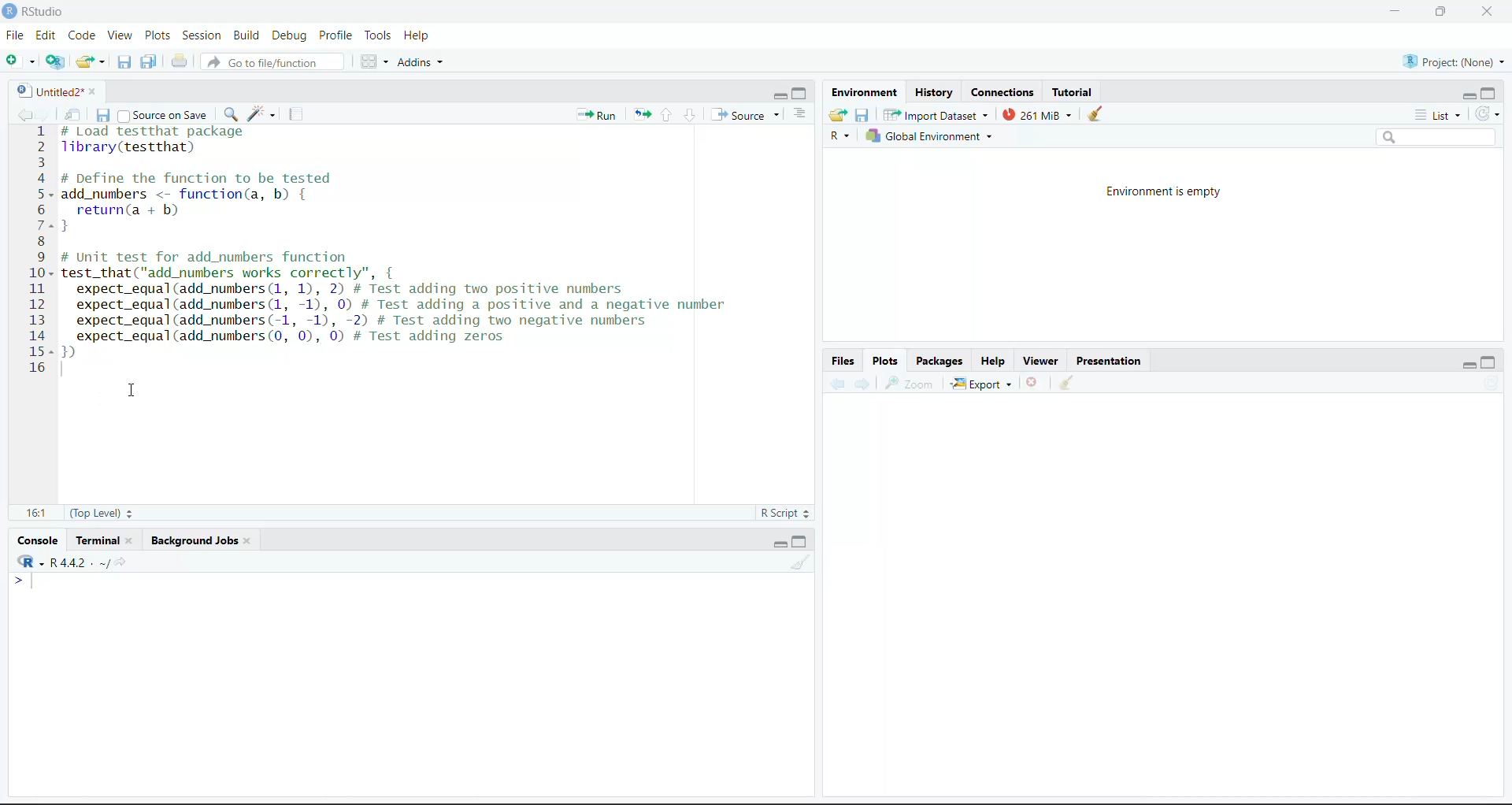 The height and width of the screenshot is (805, 1512). Describe the element at coordinates (884, 361) in the screenshot. I see `Plots` at that location.